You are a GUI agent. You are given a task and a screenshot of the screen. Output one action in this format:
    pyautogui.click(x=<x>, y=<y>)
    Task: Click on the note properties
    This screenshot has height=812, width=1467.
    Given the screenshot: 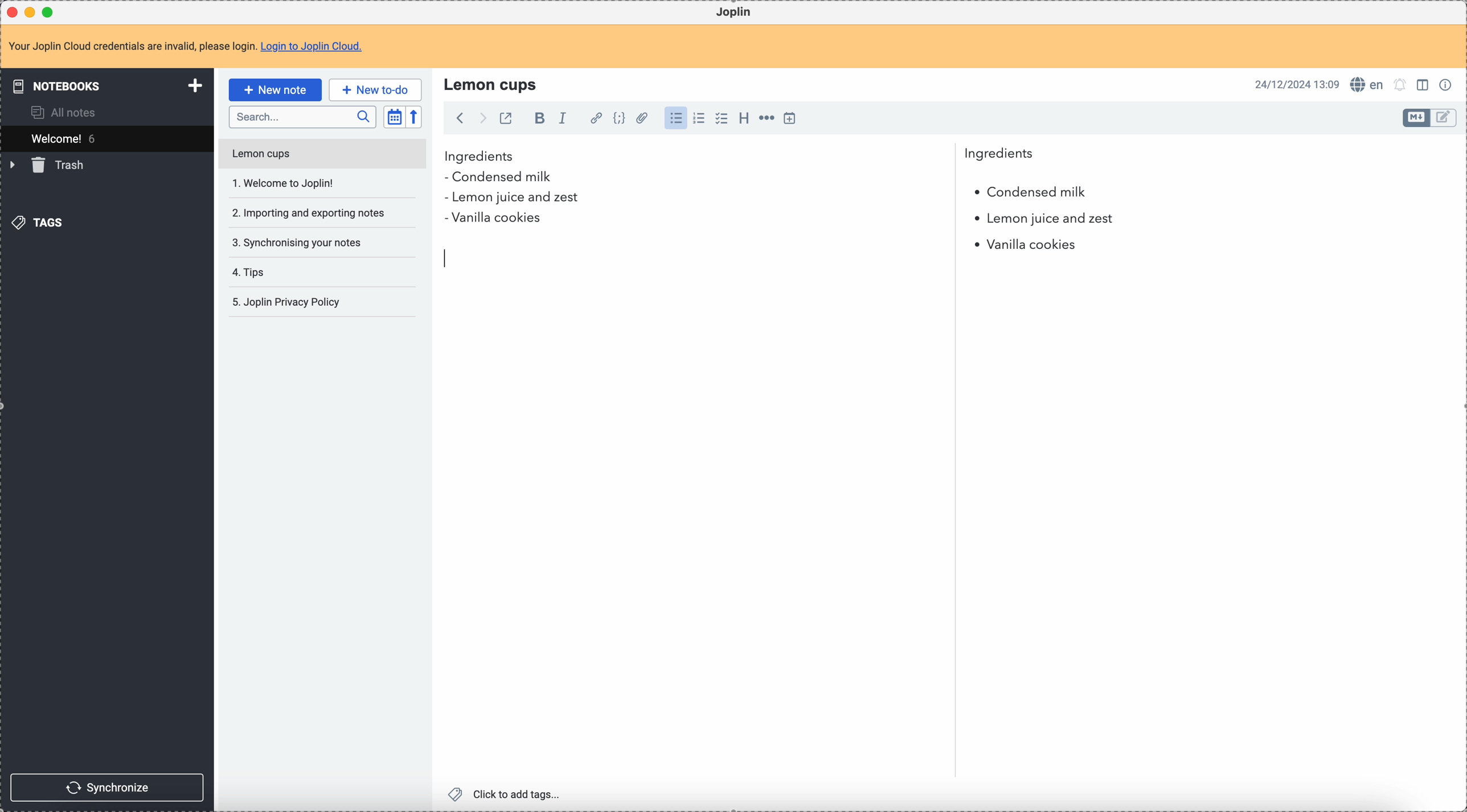 What is the action you would take?
    pyautogui.click(x=1448, y=84)
    